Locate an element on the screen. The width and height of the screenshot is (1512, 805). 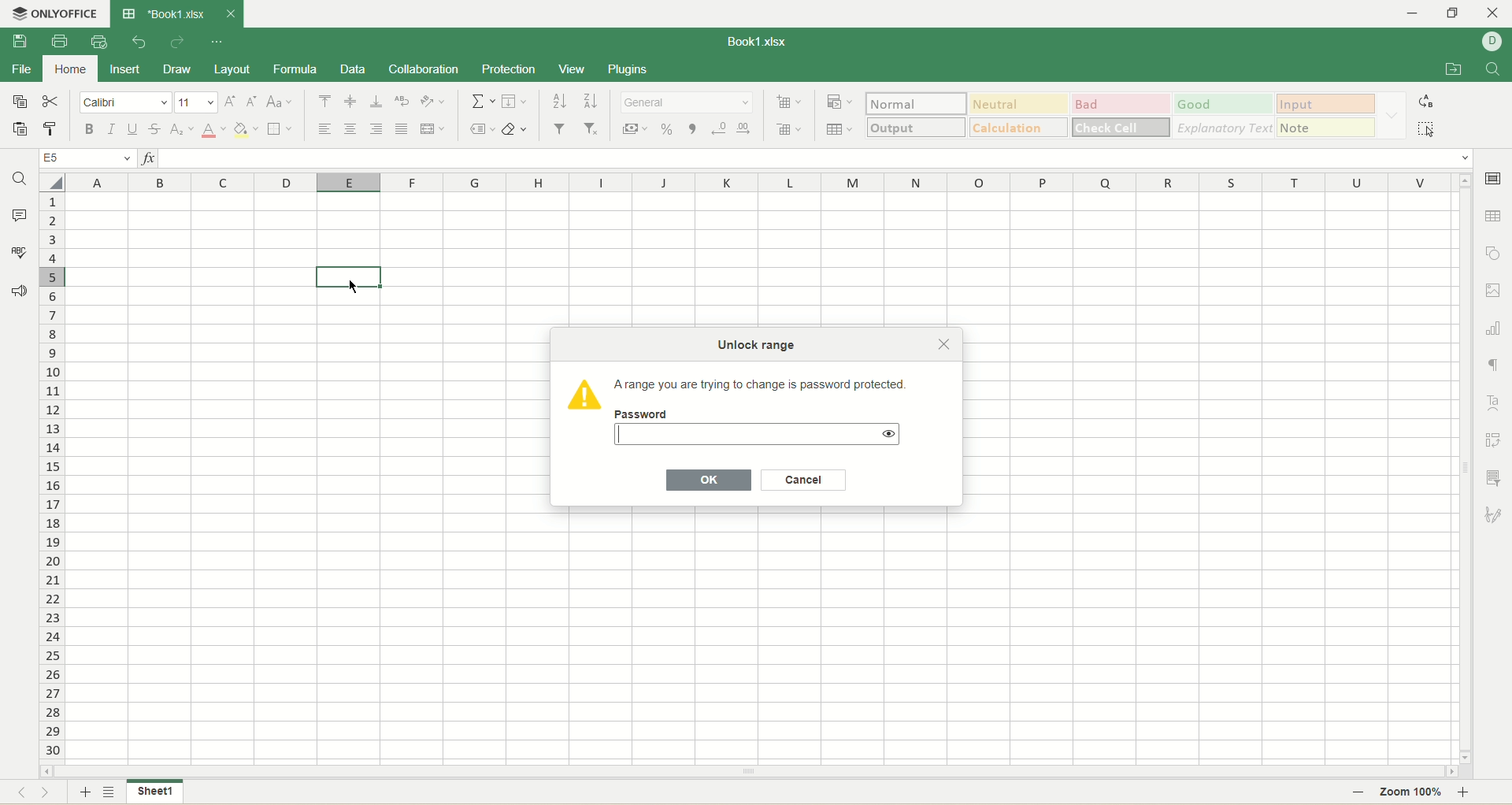
sheet list is located at coordinates (112, 792).